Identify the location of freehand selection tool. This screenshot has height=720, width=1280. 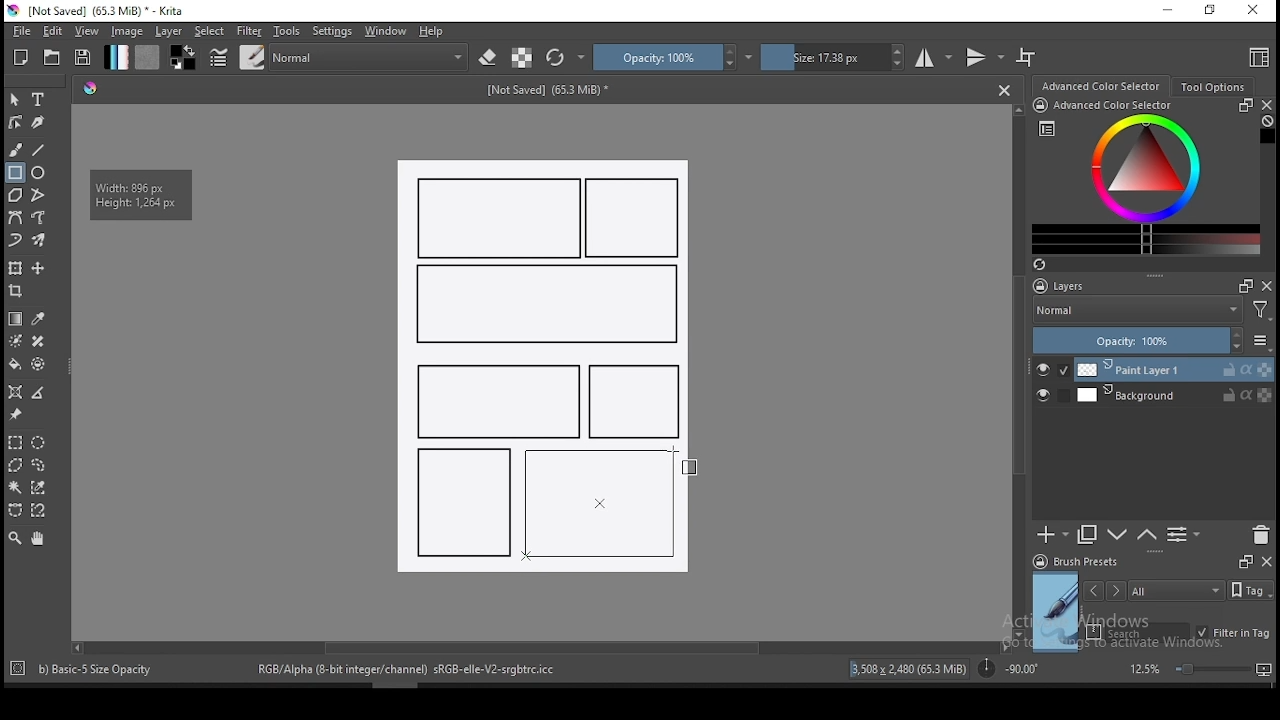
(39, 465).